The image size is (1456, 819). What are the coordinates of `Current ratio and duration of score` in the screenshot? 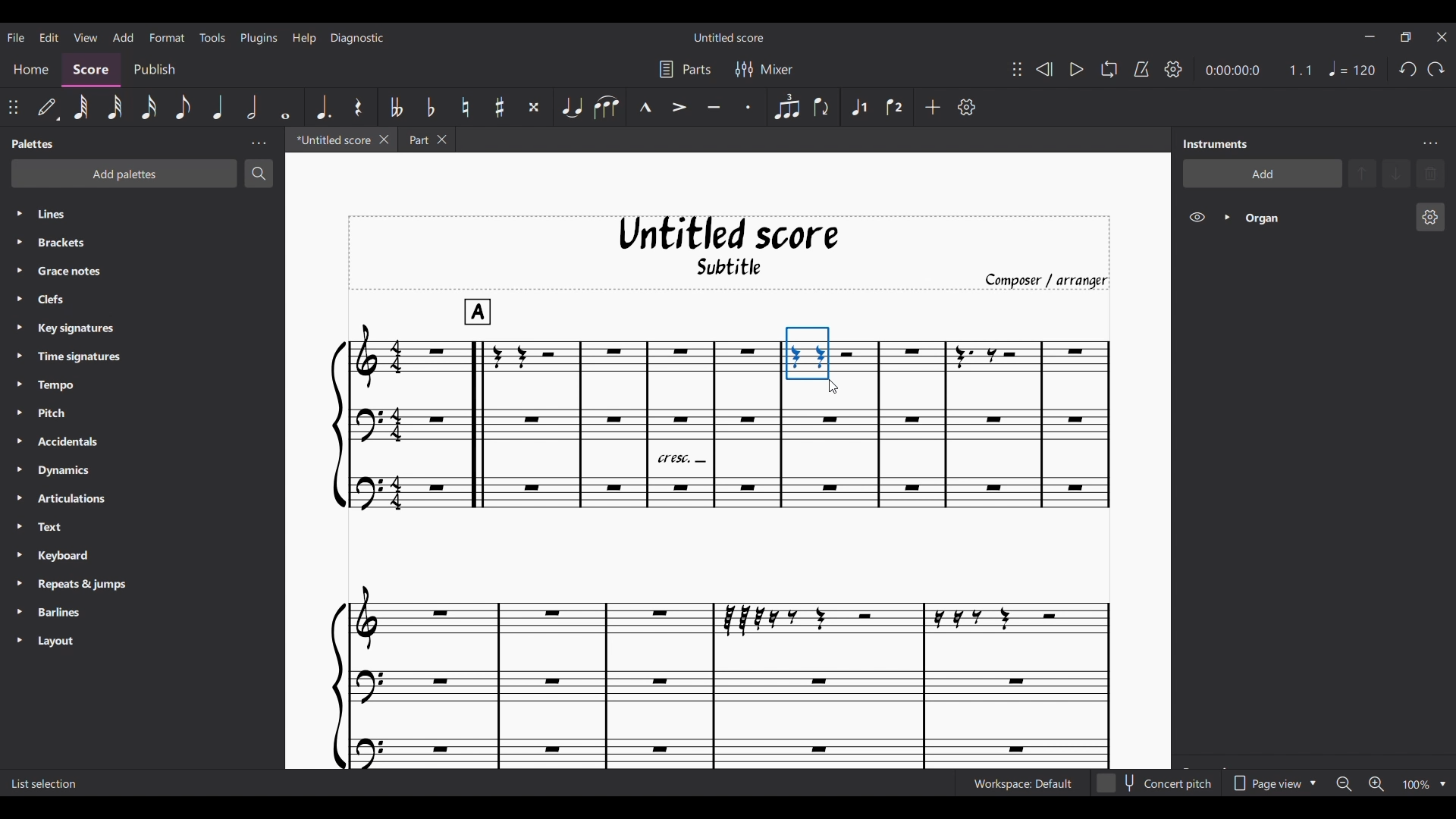 It's located at (1259, 71).